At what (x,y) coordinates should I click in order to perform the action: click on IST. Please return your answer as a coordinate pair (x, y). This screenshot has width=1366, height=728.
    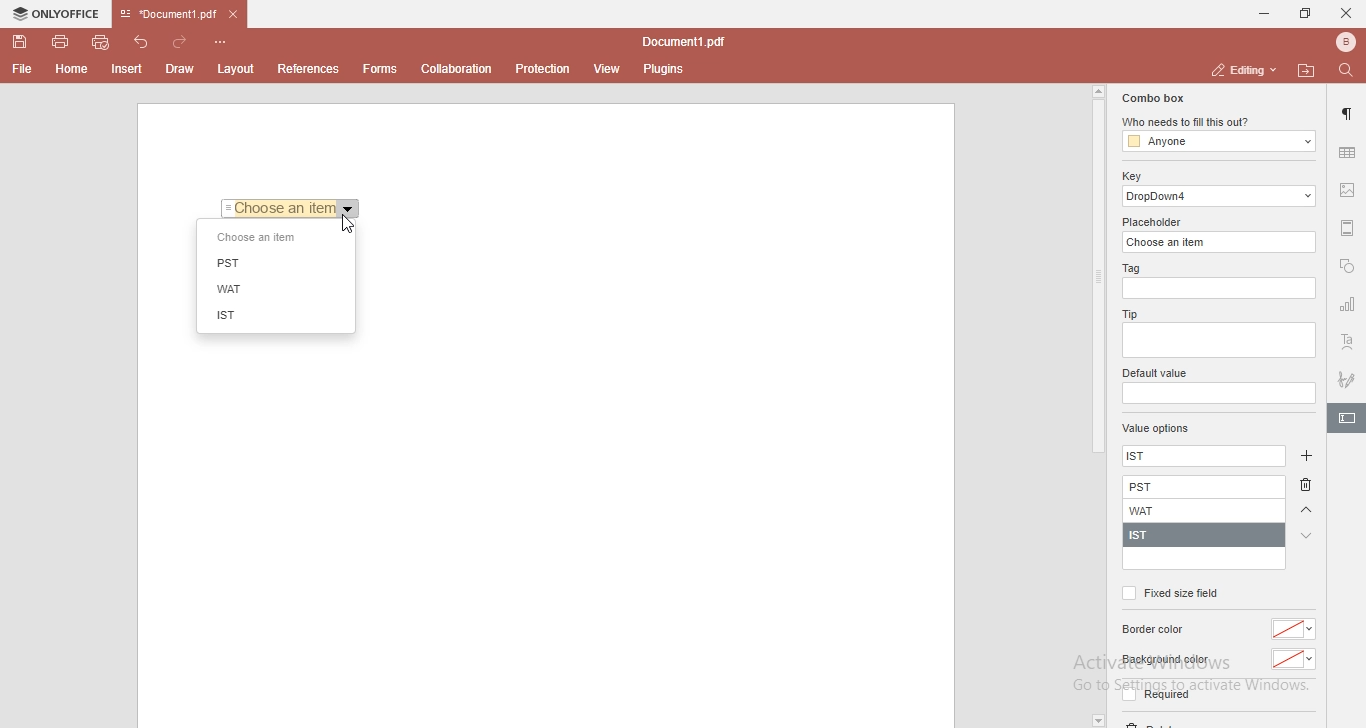
    Looking at the image, I should click on (225, 315).